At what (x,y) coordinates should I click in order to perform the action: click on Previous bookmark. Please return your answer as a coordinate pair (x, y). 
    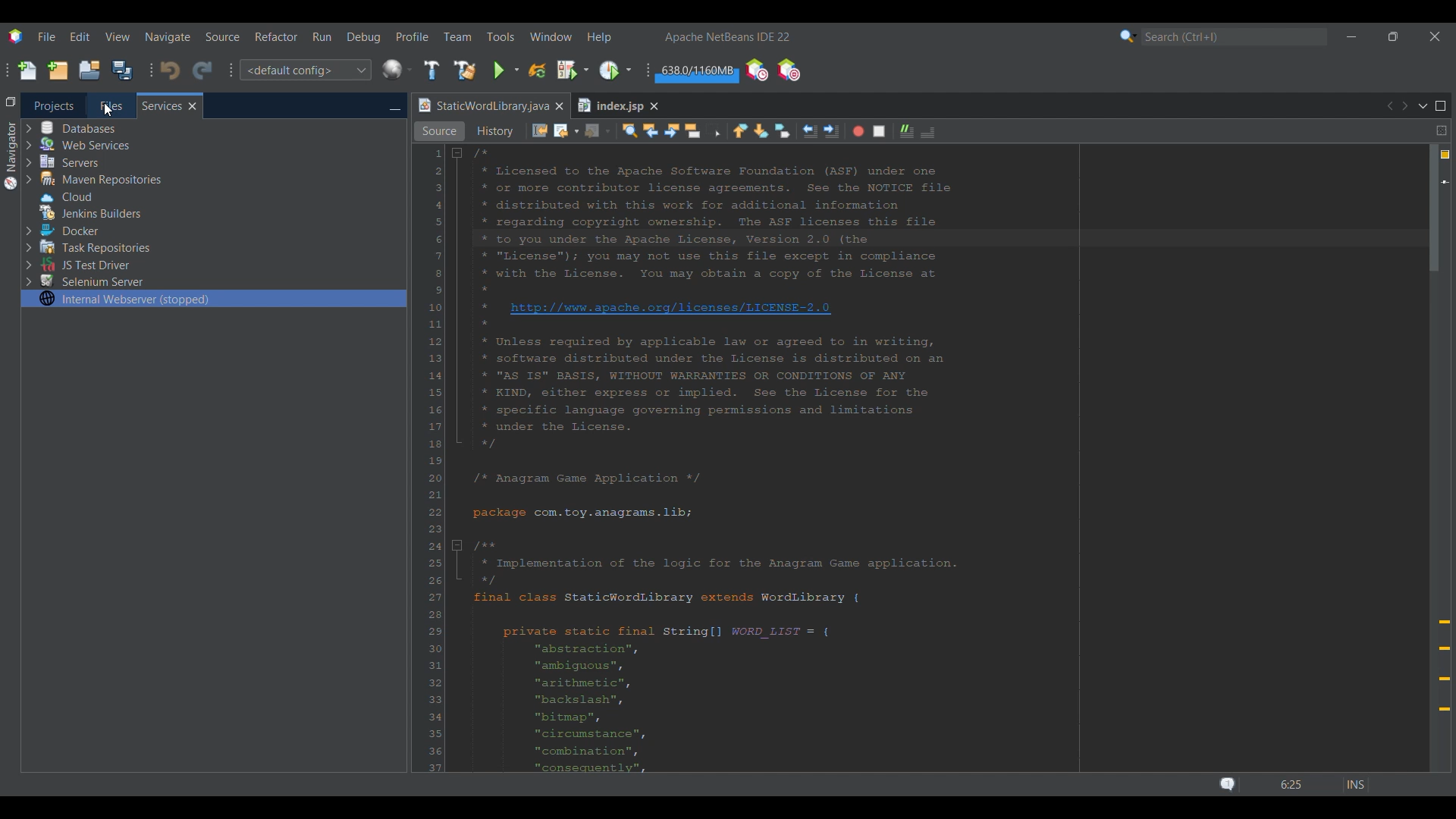
    Looking at the image, I should click on (740, 131).